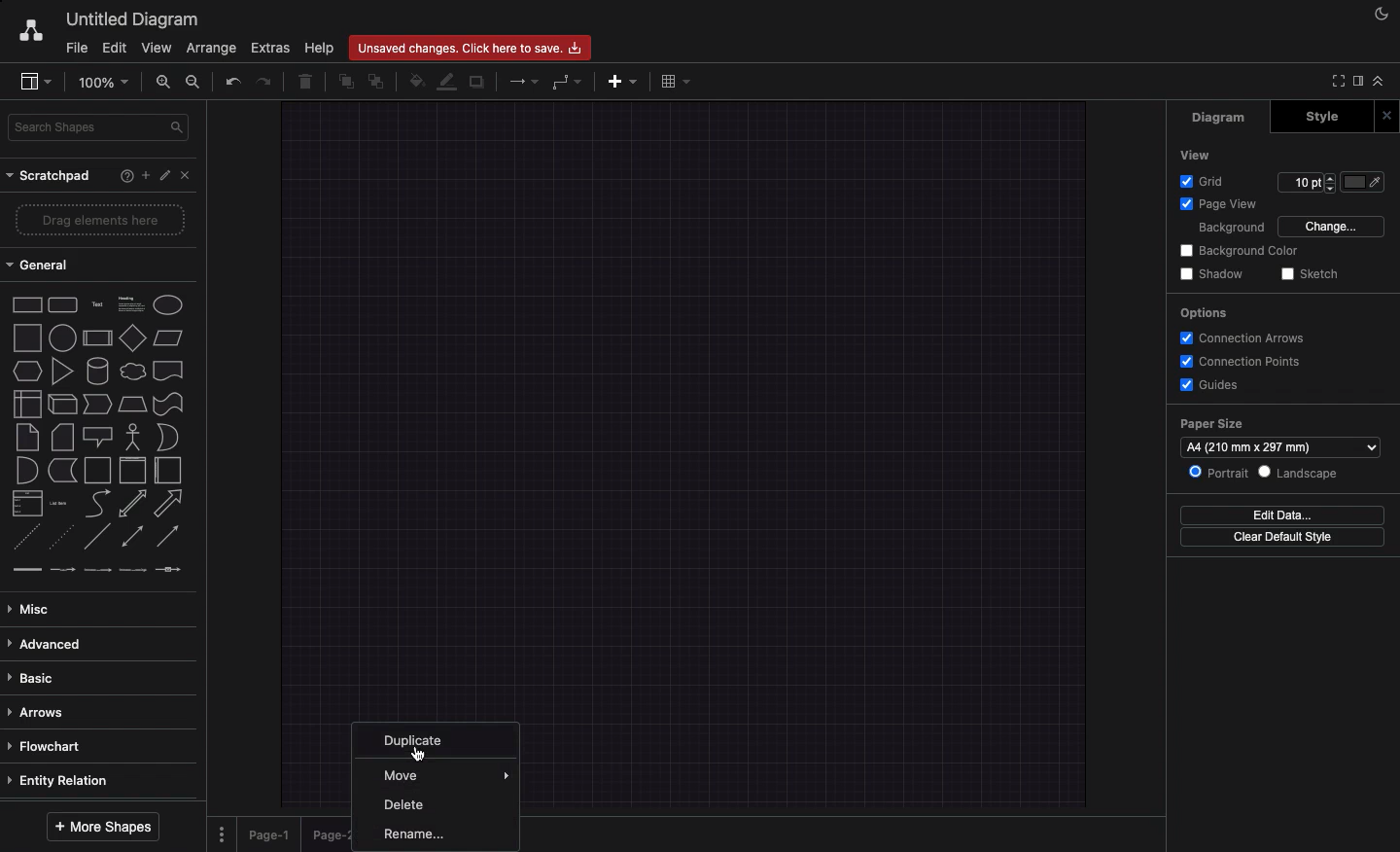  Describe the element at coordinates (1379, 81) in the screenshot. I see `Collapse` at that location.